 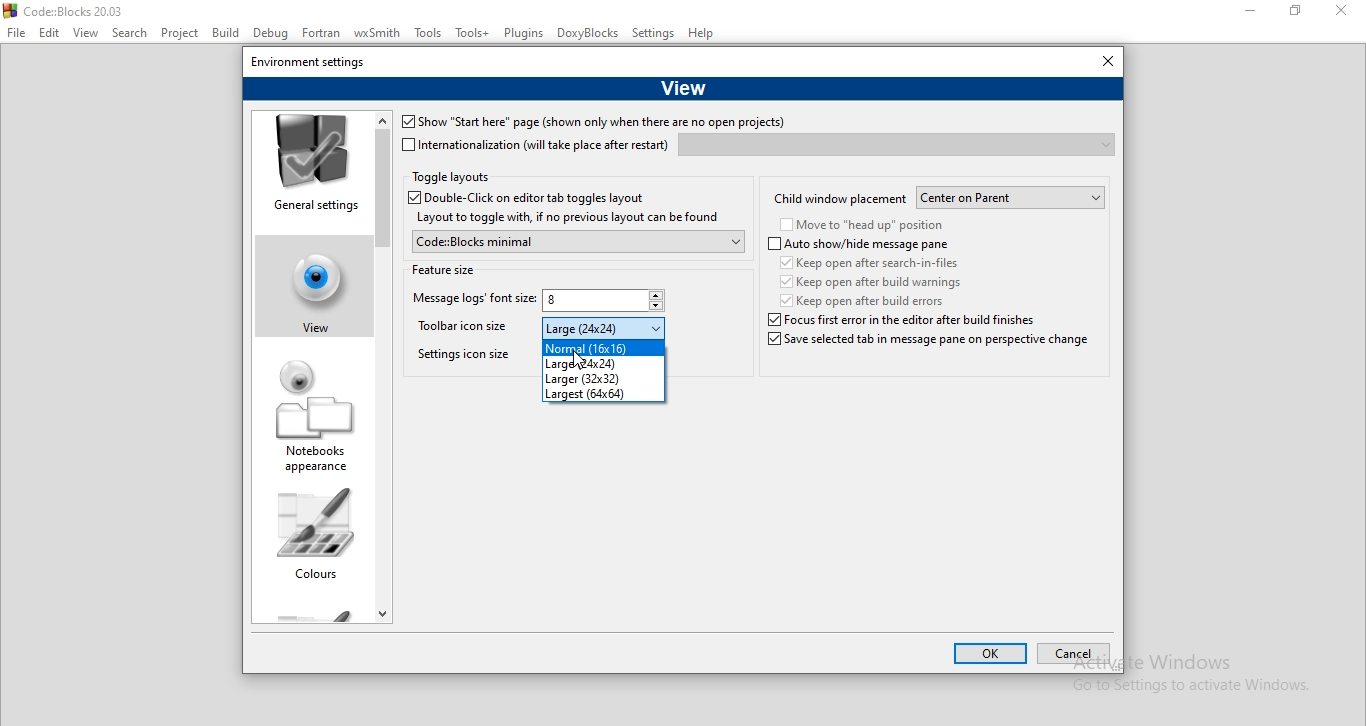 I want to click on Settings icon size: 80x80-Large, so click(x=462, y=359).